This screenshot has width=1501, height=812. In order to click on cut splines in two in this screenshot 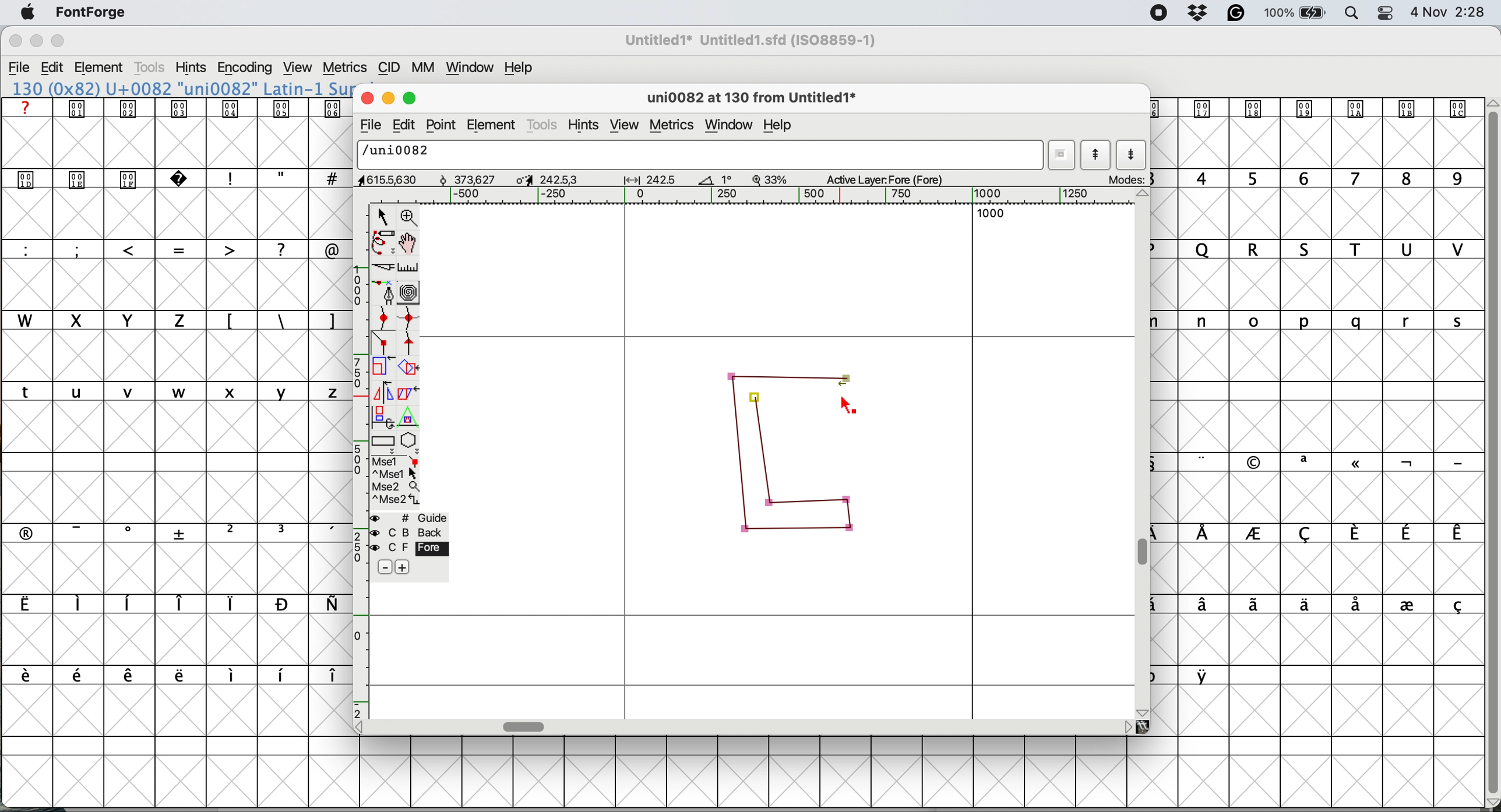, I will do `click(386, 267)`.